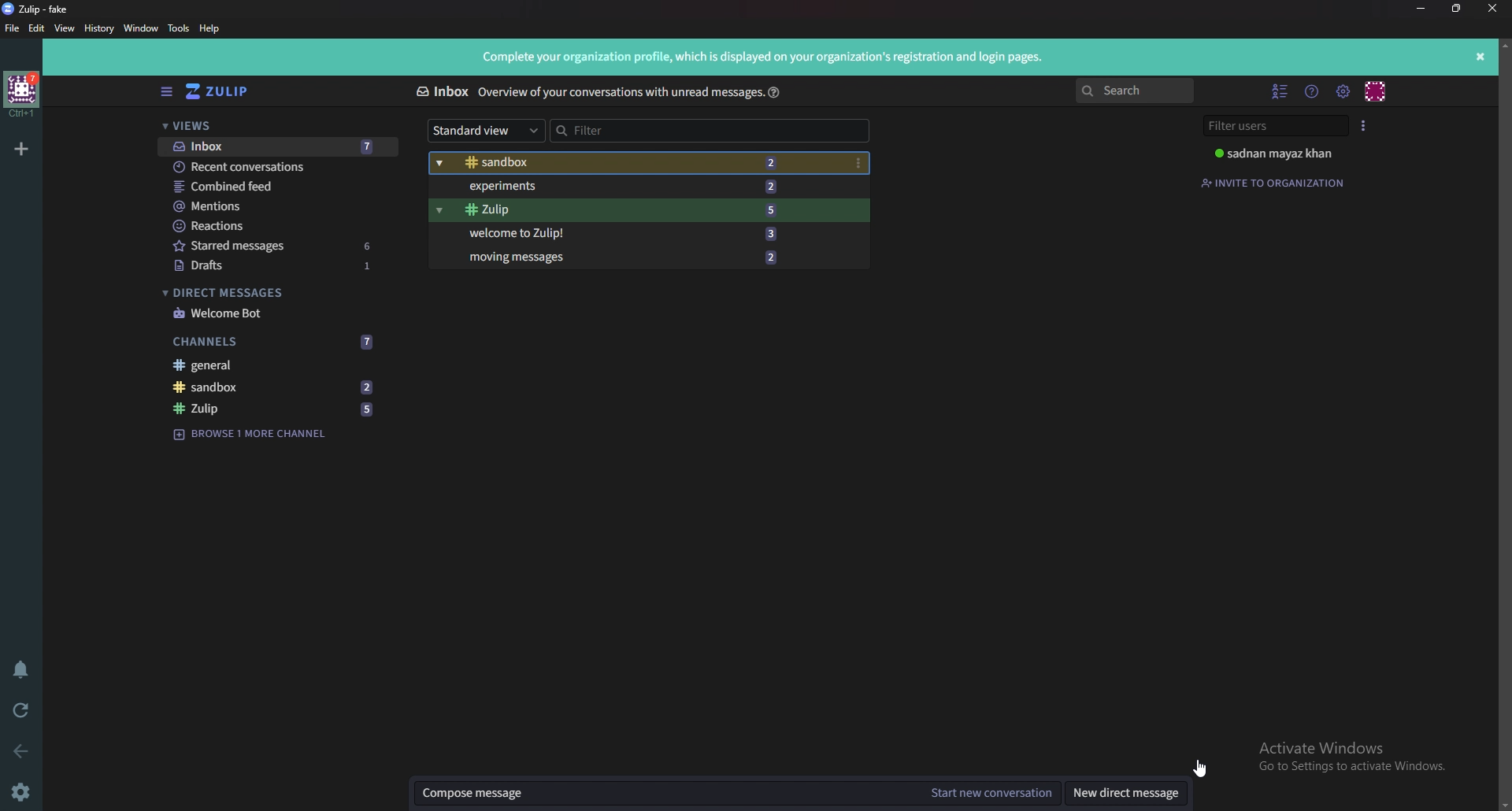 The width and height of the screenshot is (1512, 811). I want to click on cursor, so click(1198, 768).